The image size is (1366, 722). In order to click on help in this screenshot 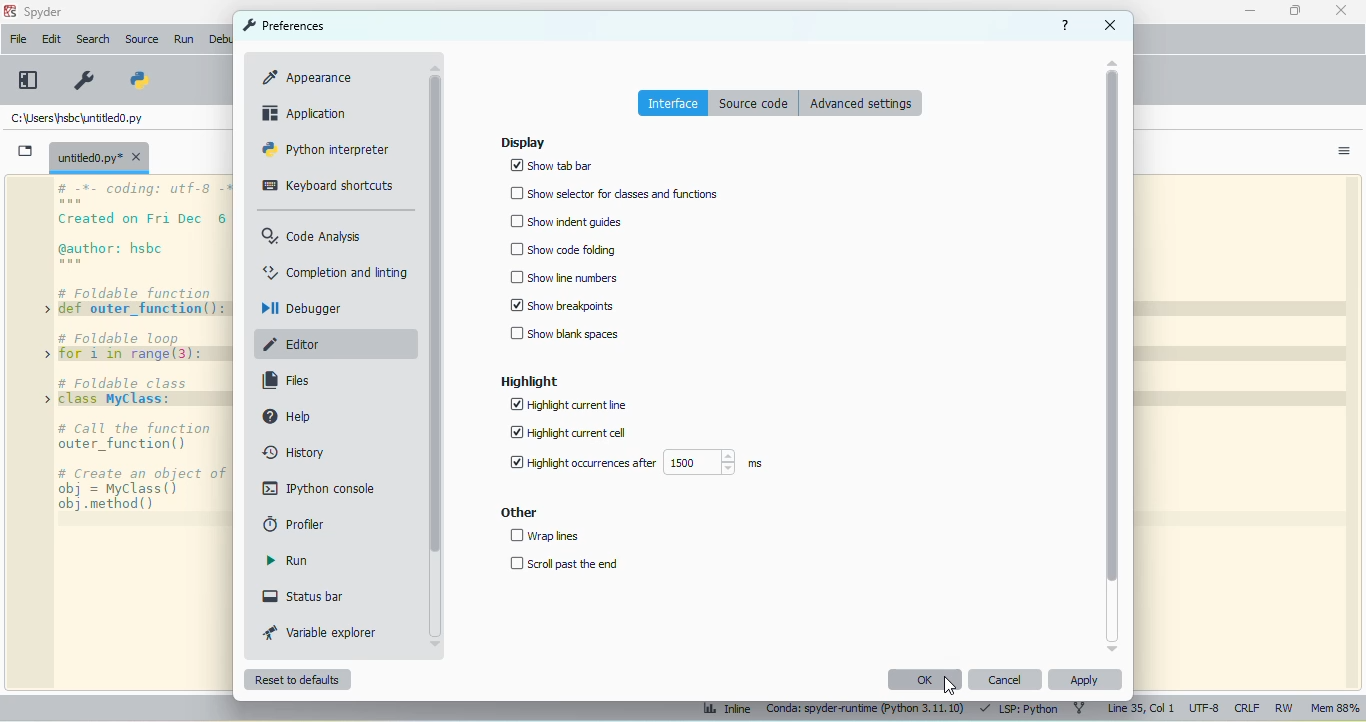, I will do `click(1067, 25)`.